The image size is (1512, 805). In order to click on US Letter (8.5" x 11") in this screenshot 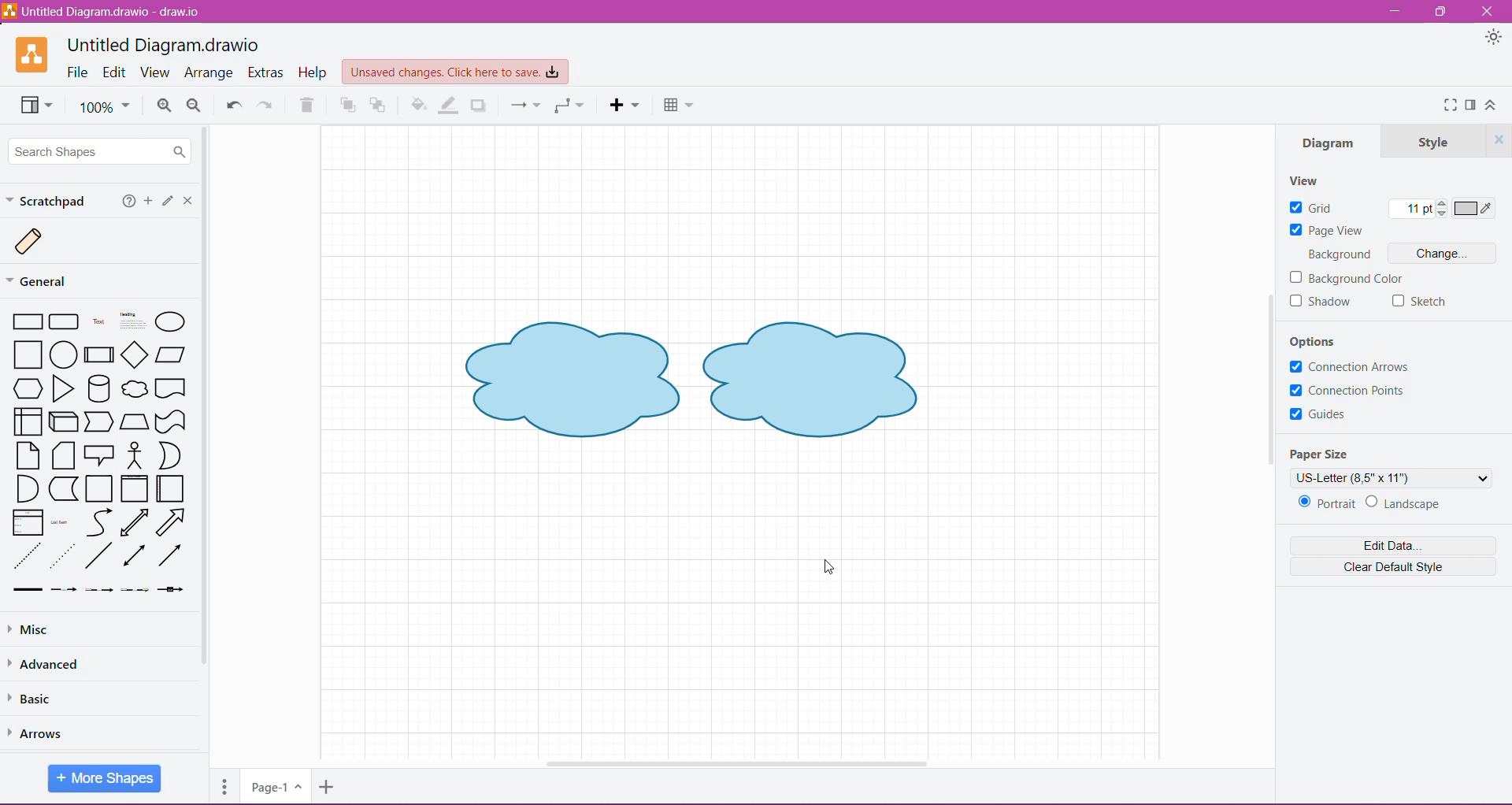, I will do `click(1392, 477)`.